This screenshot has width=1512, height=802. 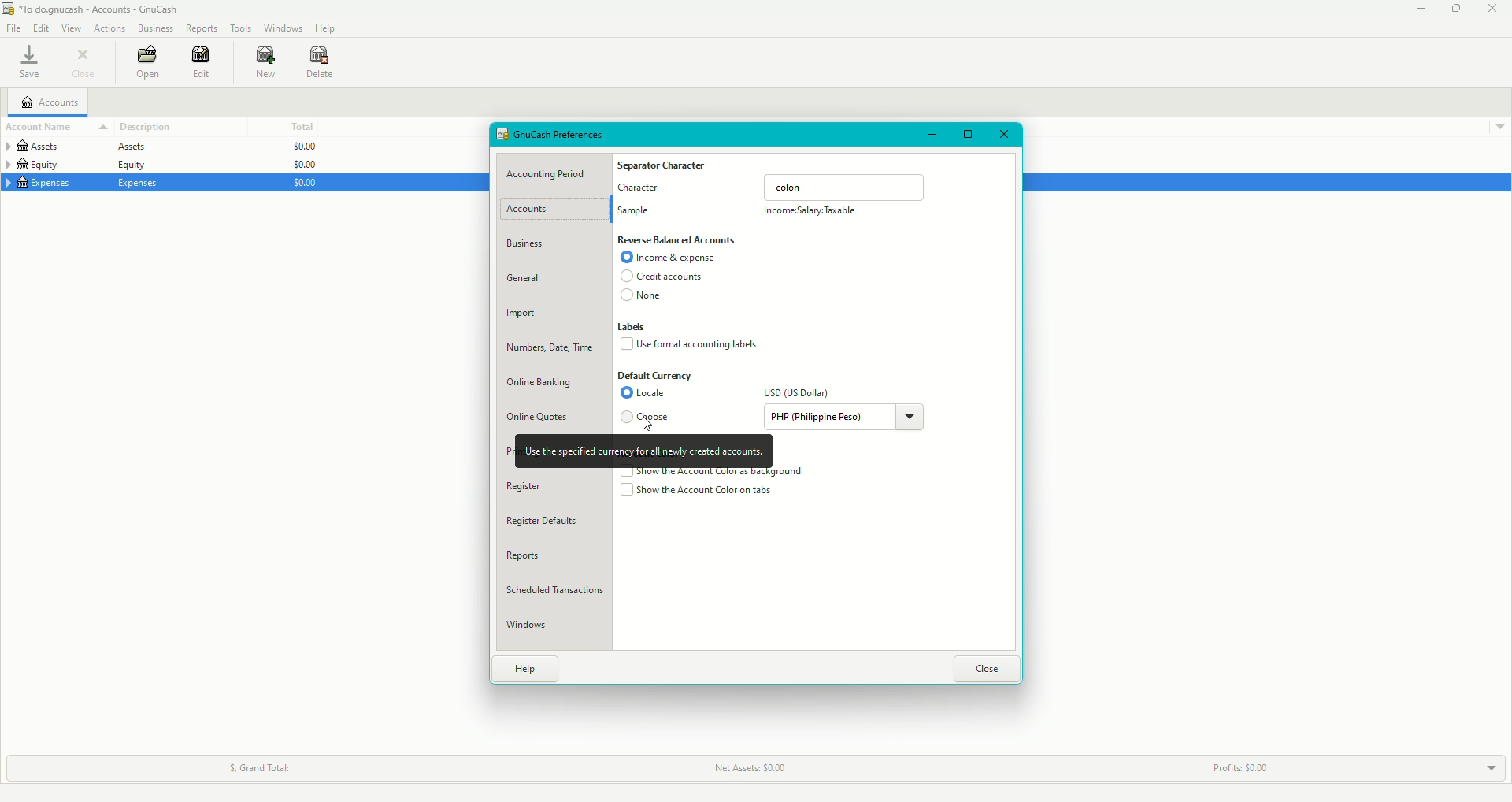 I want to click on Drop down, so click(x=1488, y=768).